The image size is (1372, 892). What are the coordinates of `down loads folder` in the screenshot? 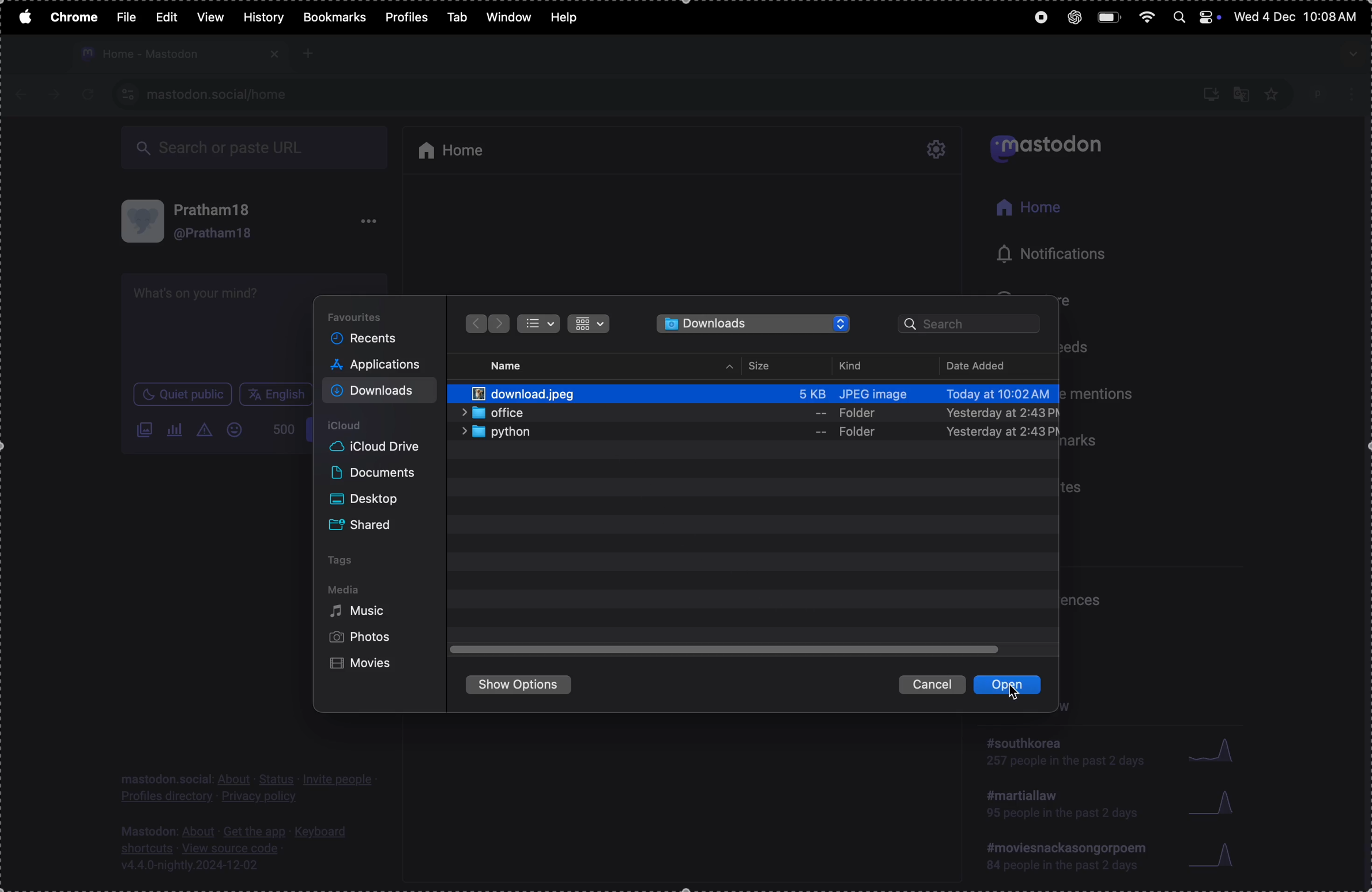 It's located at (755, 324).